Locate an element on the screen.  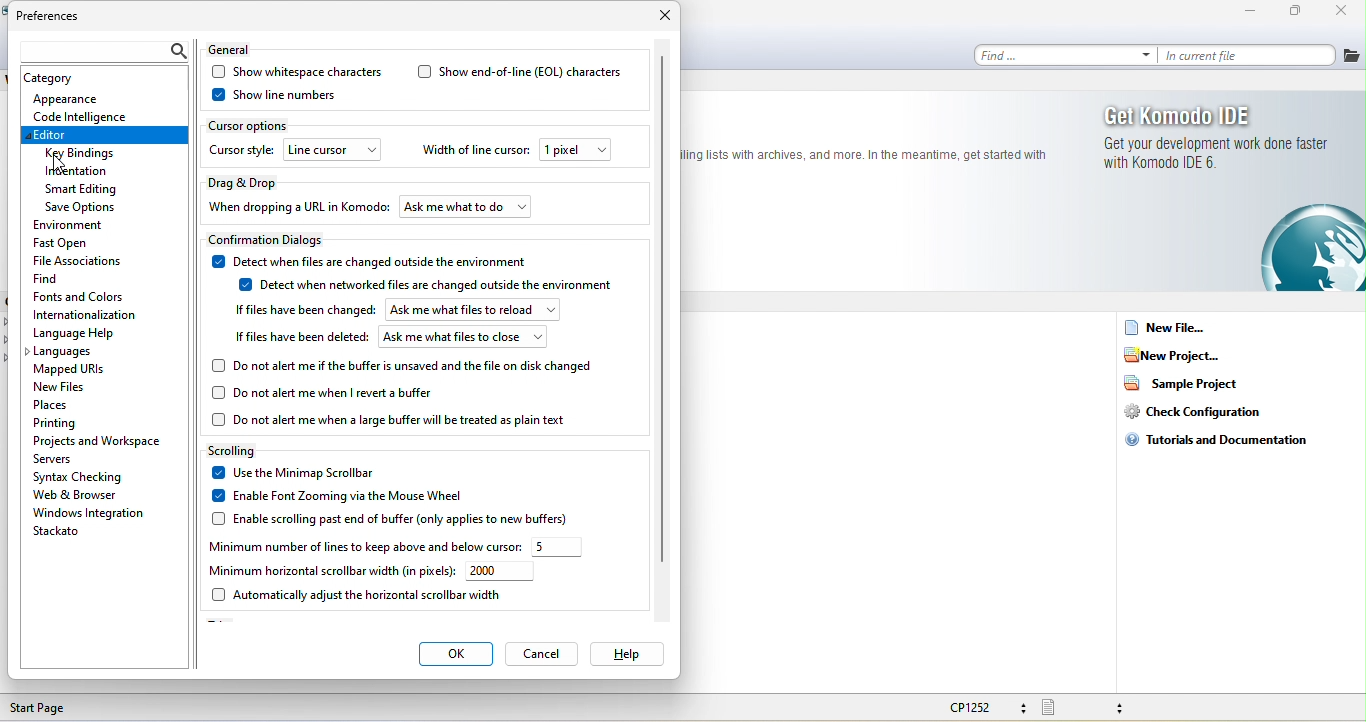
conformation dialogs is located at coordinates (275, 240).